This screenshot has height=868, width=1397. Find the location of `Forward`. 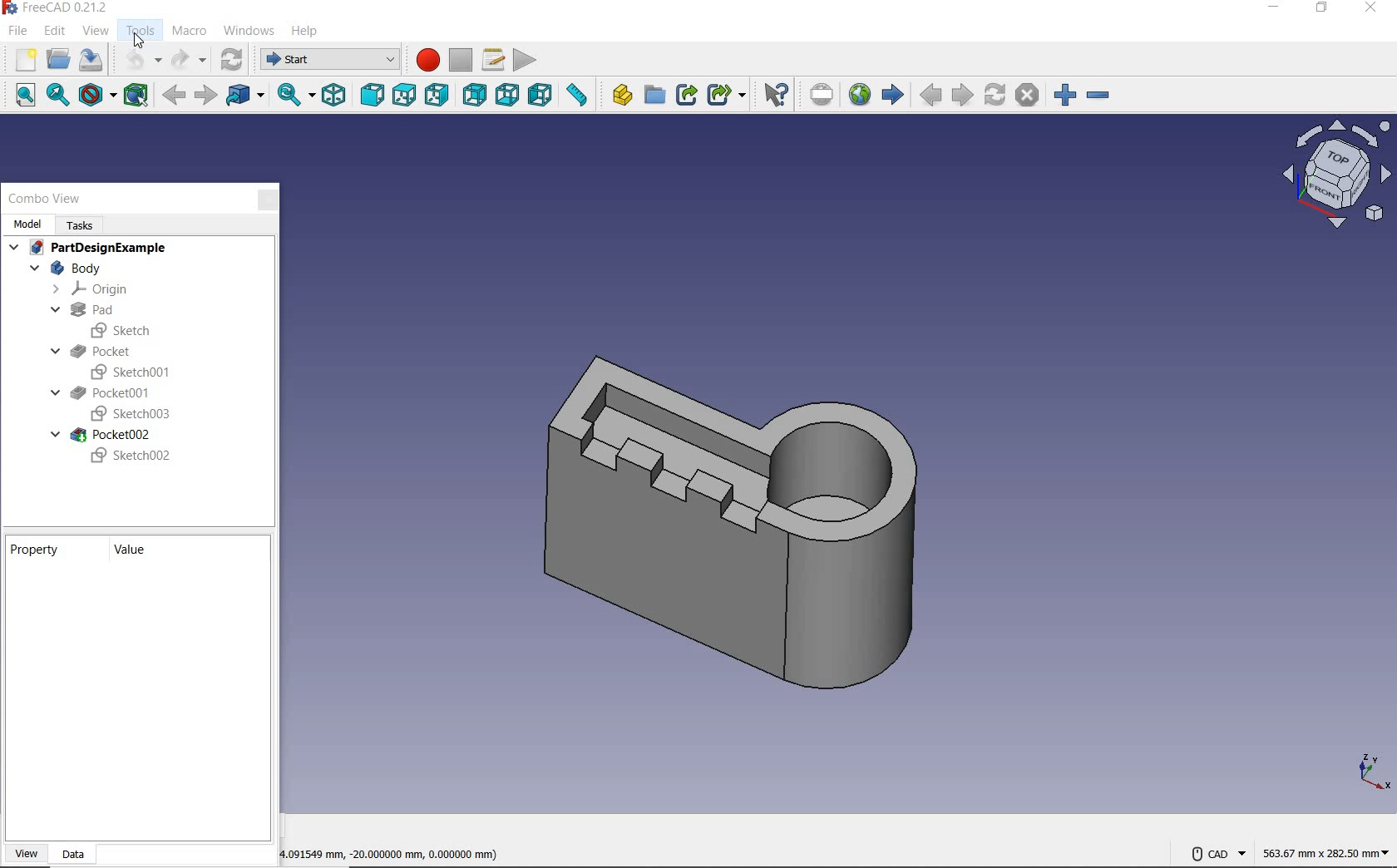

Forward is located at coordinates (205, 92).